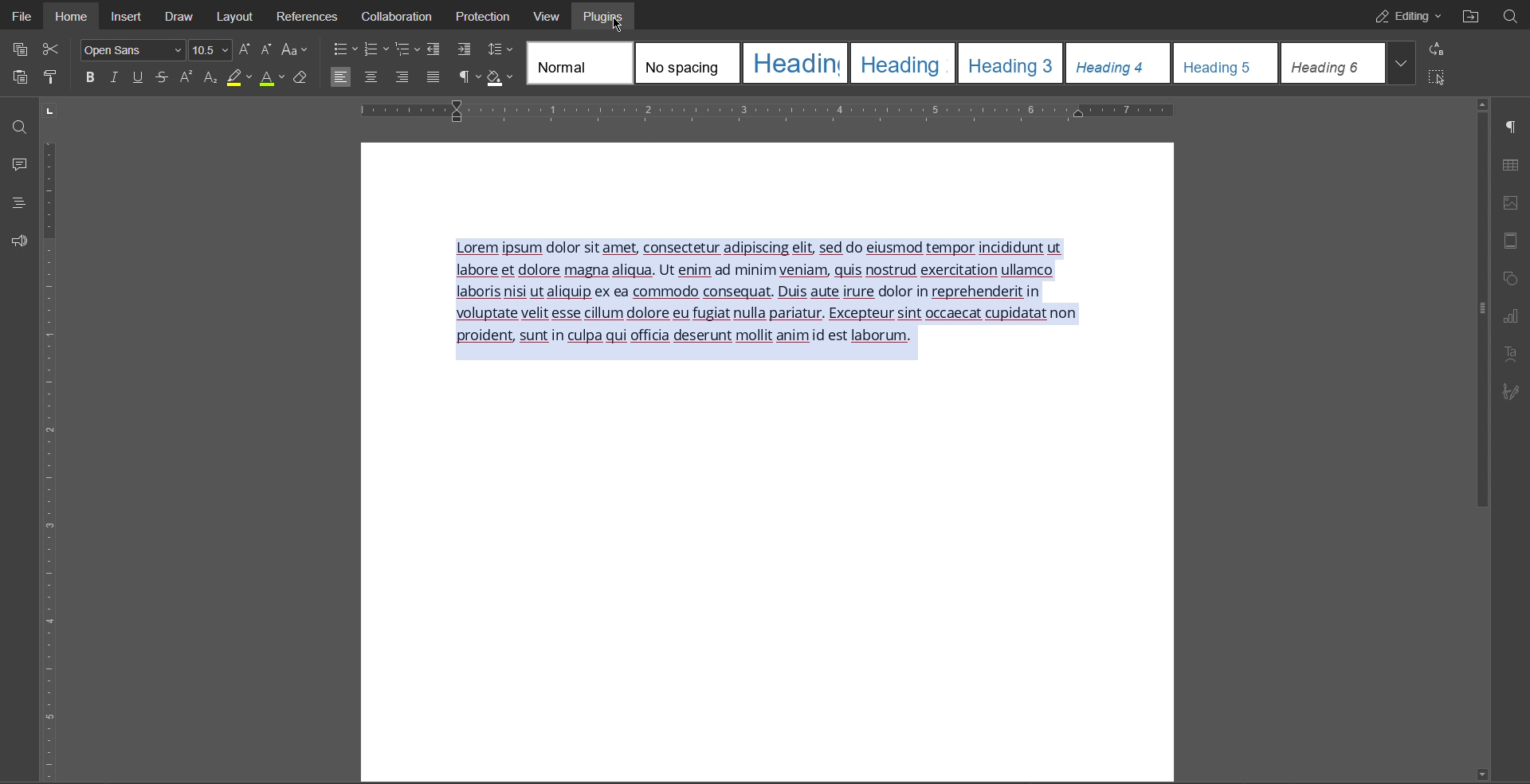 Image resolution: width=1530 pixels, height=784 pixels. What do you see at coordinates (90, 80) in the screenshot?
I see `Bold` at bounding box center [90, 80].